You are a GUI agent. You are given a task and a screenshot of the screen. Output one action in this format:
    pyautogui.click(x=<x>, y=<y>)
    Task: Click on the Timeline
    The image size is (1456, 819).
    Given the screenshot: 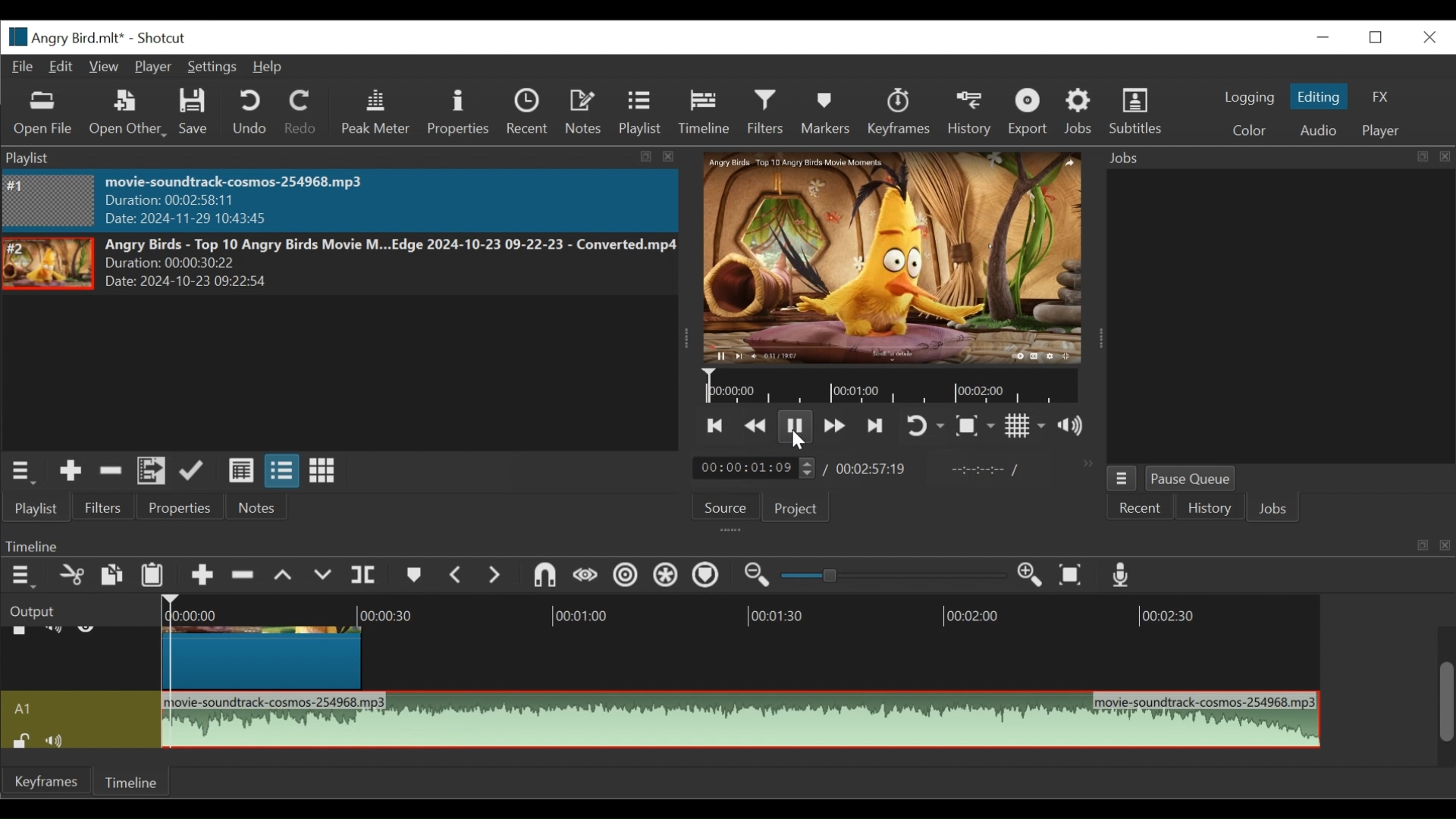 What is the action you would take?
    pyautogui.click(x=904, y=390)
    